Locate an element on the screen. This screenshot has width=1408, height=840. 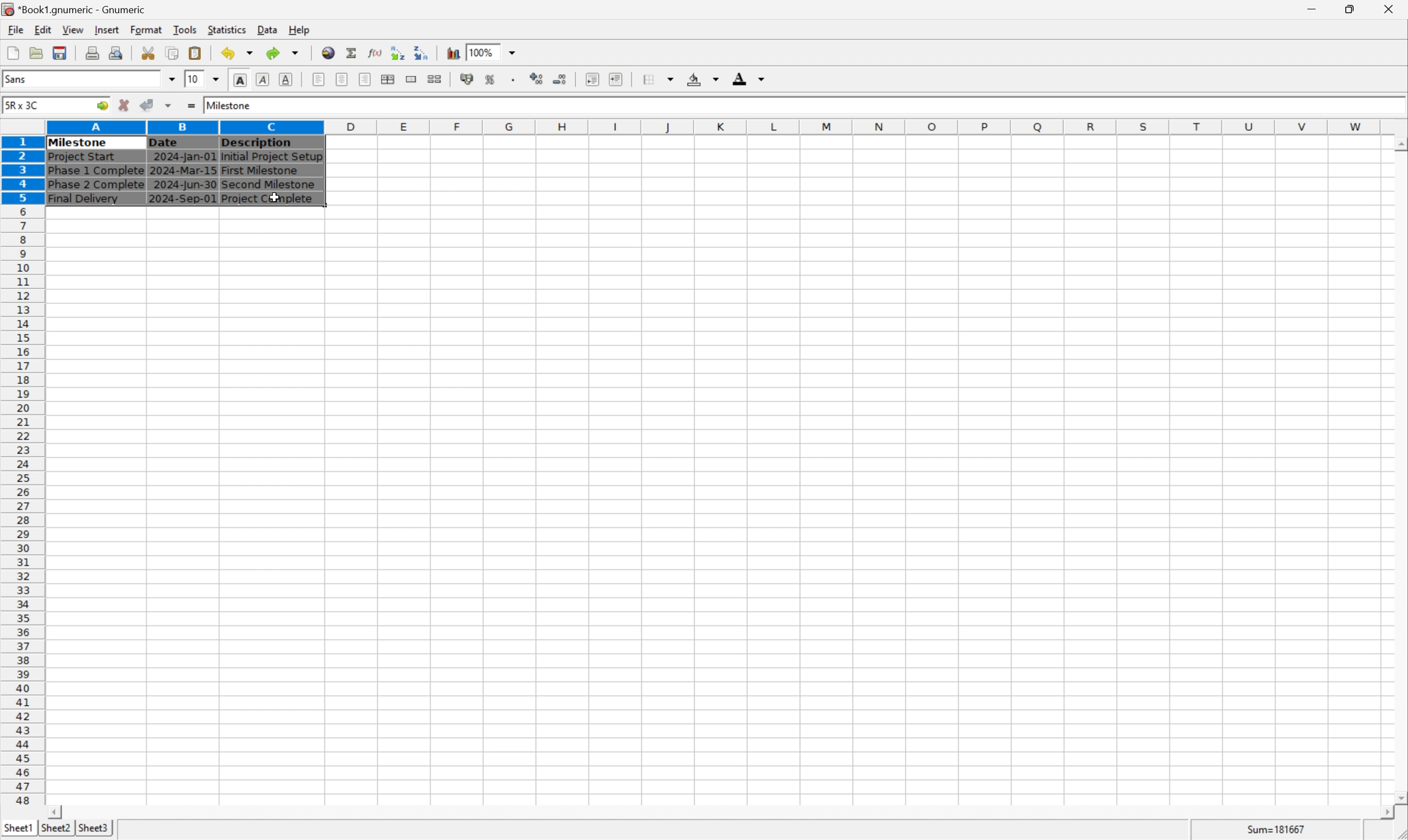
file is located at coordinates (15, 30).